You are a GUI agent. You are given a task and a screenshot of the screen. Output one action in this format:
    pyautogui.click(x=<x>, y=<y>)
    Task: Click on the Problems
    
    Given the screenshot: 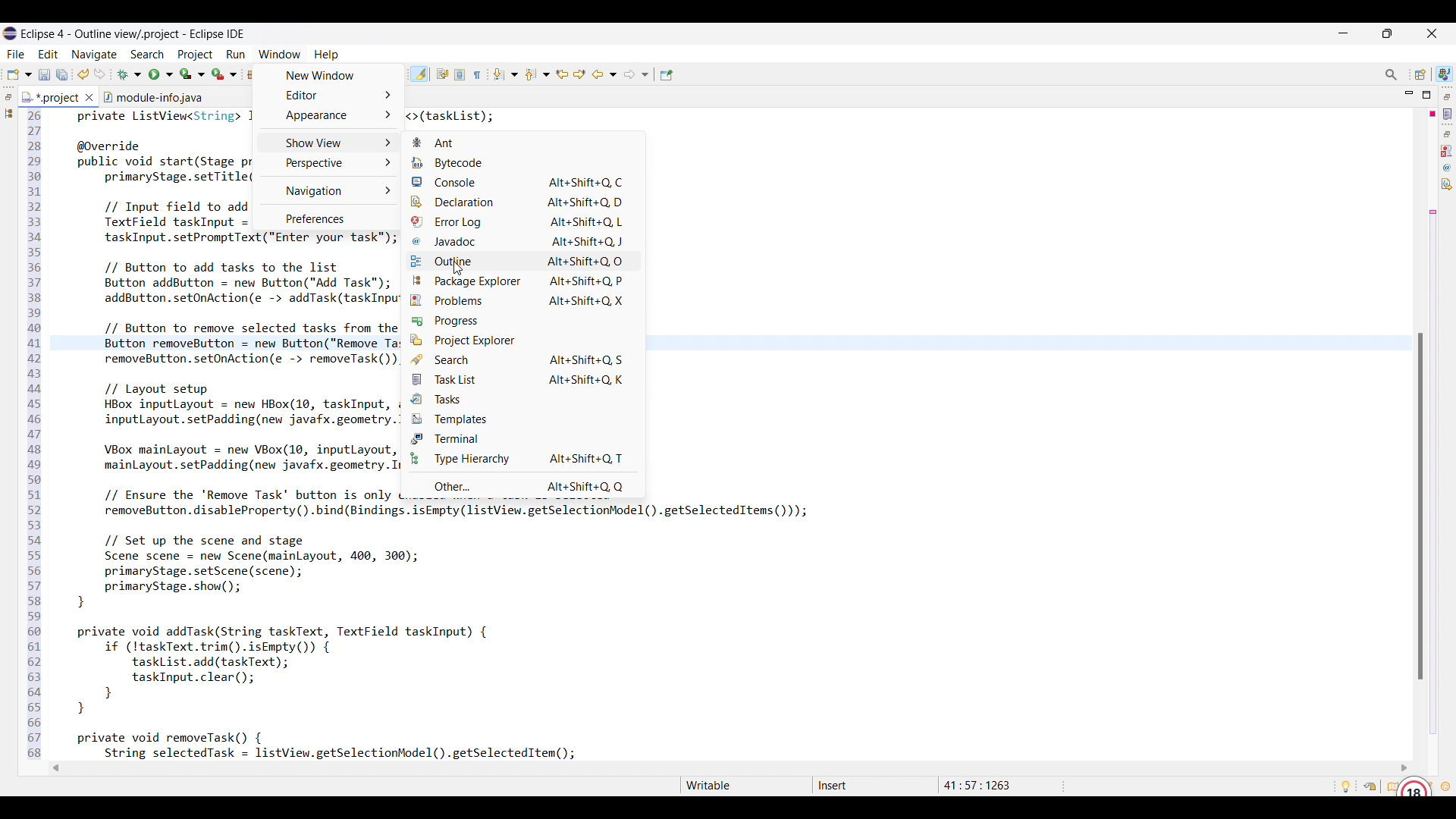 What is the action you would take?
    pyautogui.click(x=522, y=300)
    